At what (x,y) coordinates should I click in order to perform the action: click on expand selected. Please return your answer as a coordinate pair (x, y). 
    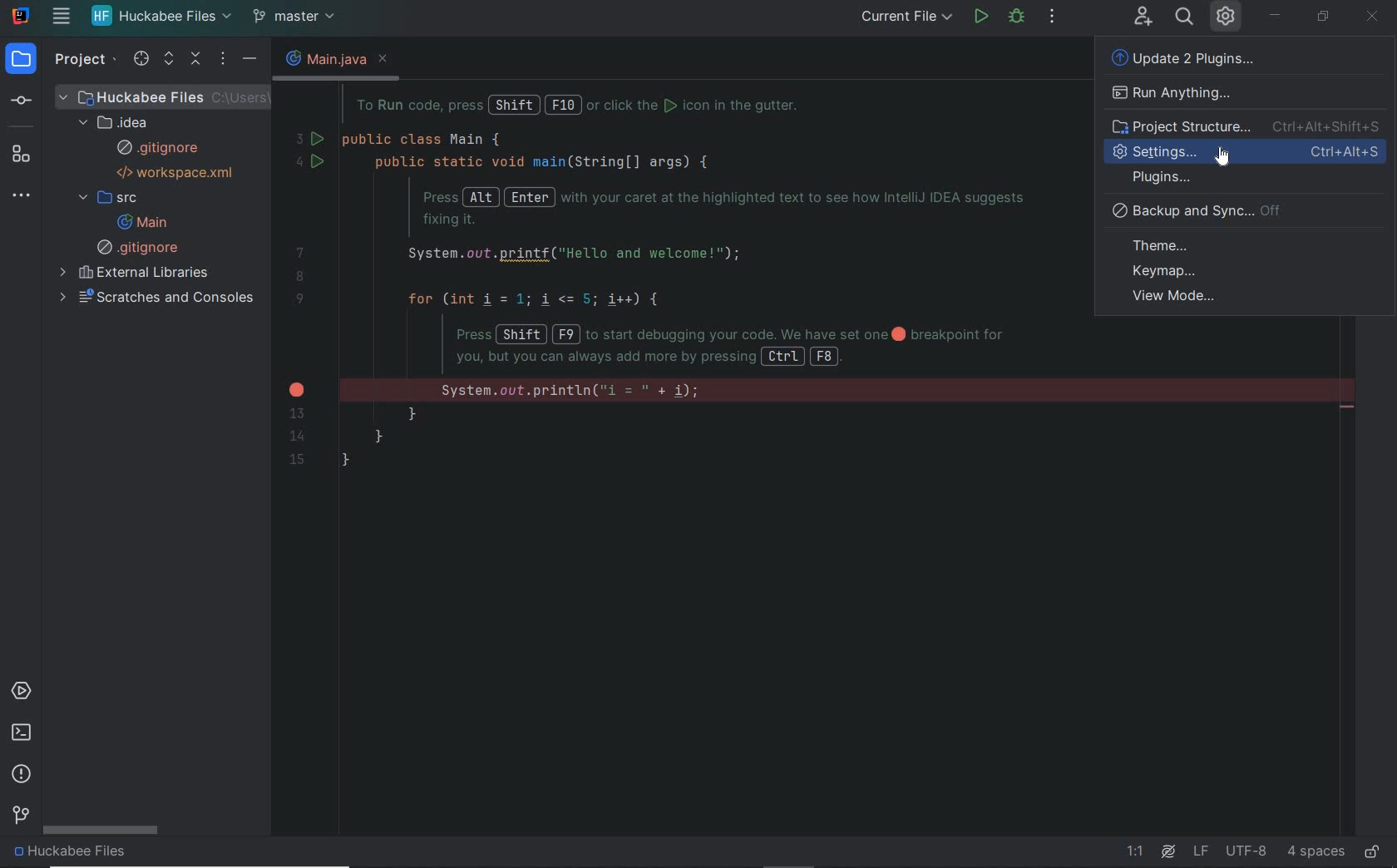
    Looking at the image, I should click on (167, 61).